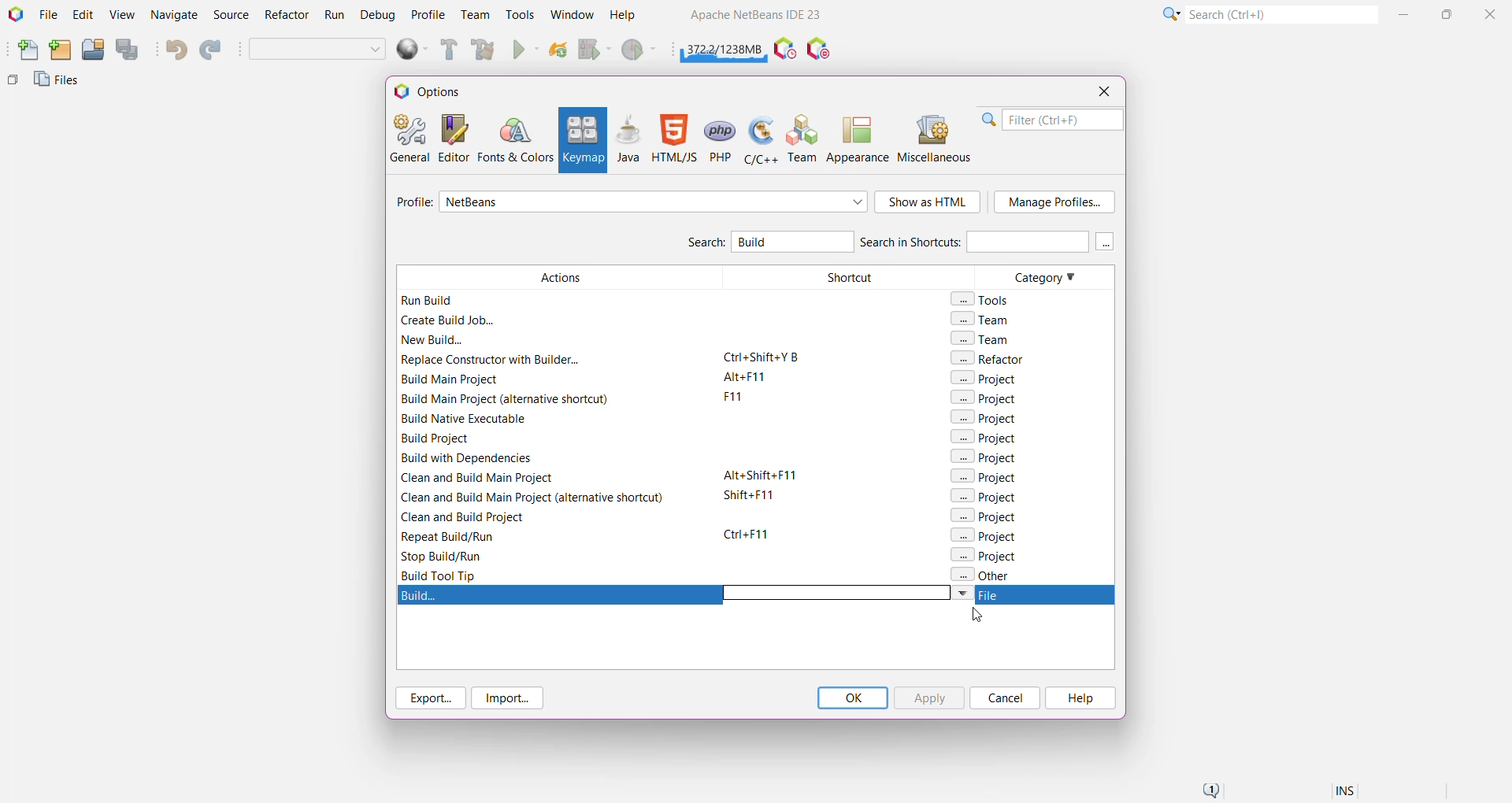 This screenshot has height=803, width=1512. Describe the element at coordinates (581, 140) in the screenshot. I see `Keymap` at that location.